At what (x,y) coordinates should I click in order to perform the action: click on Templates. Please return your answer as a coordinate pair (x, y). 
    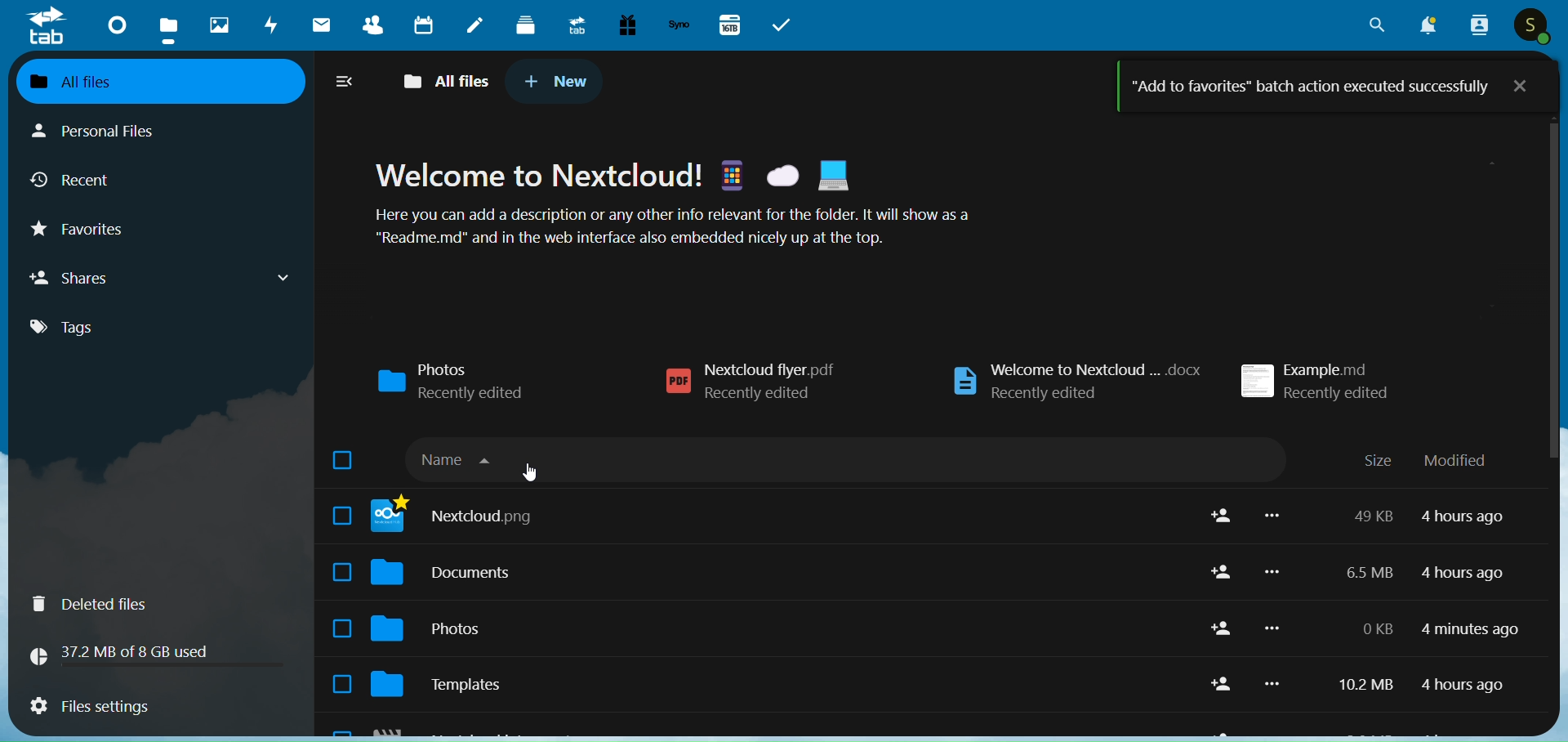
    Looking at the image, I should click on (777, 684).